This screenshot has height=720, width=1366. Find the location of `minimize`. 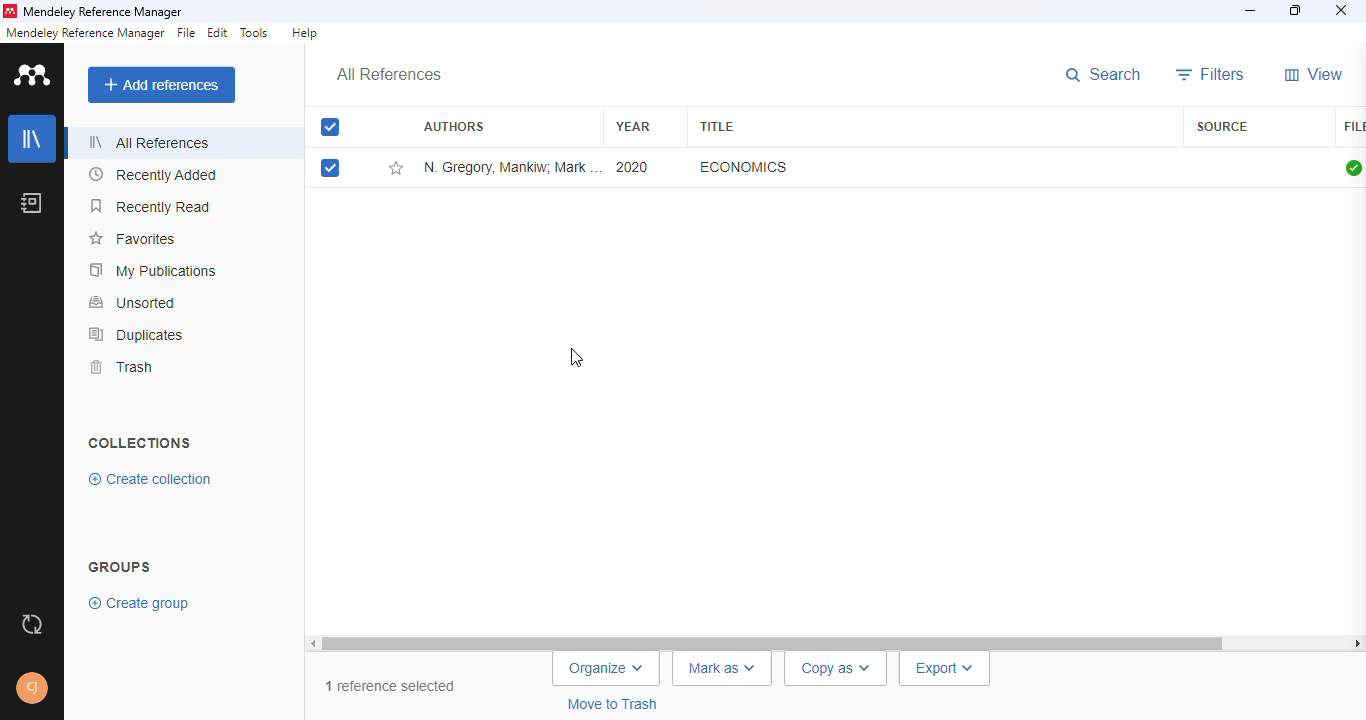

minimize is located at coordinates (1250, 11).